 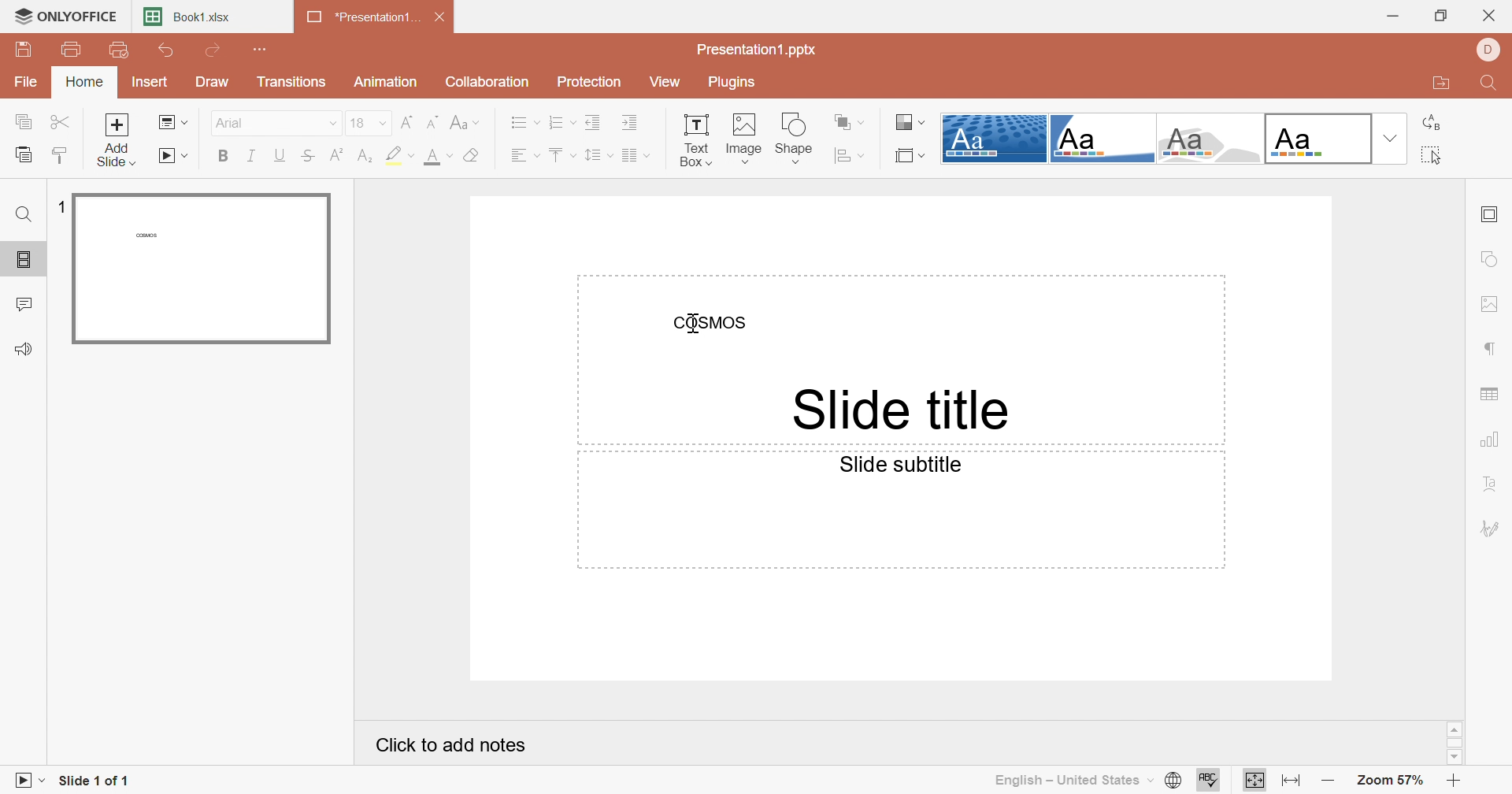 What do you see at coordinates (1210, 139) in the screenshot?
I see `Turtle` at bounding box center [1210, 139].